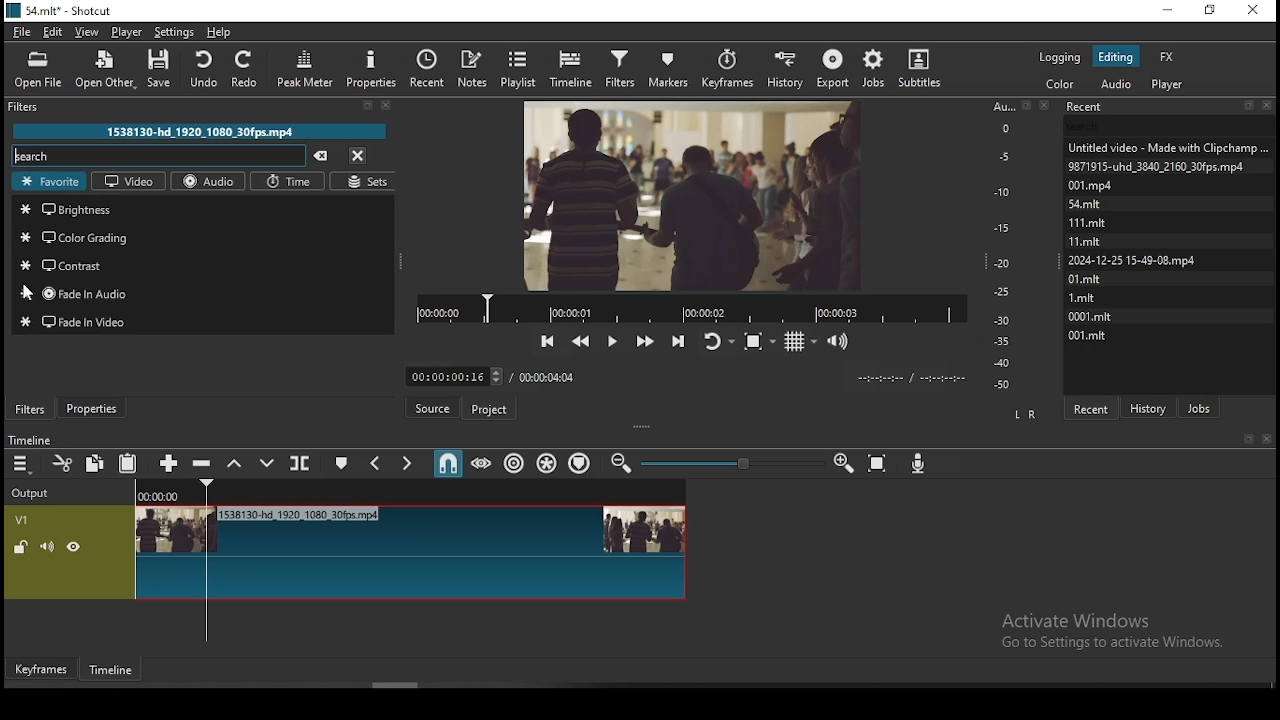 The width and height of the screenshot is (1280, 720). Describe the element at coordinates (623, 464) in the screenshot. I see `zoom timeline in` at that location.